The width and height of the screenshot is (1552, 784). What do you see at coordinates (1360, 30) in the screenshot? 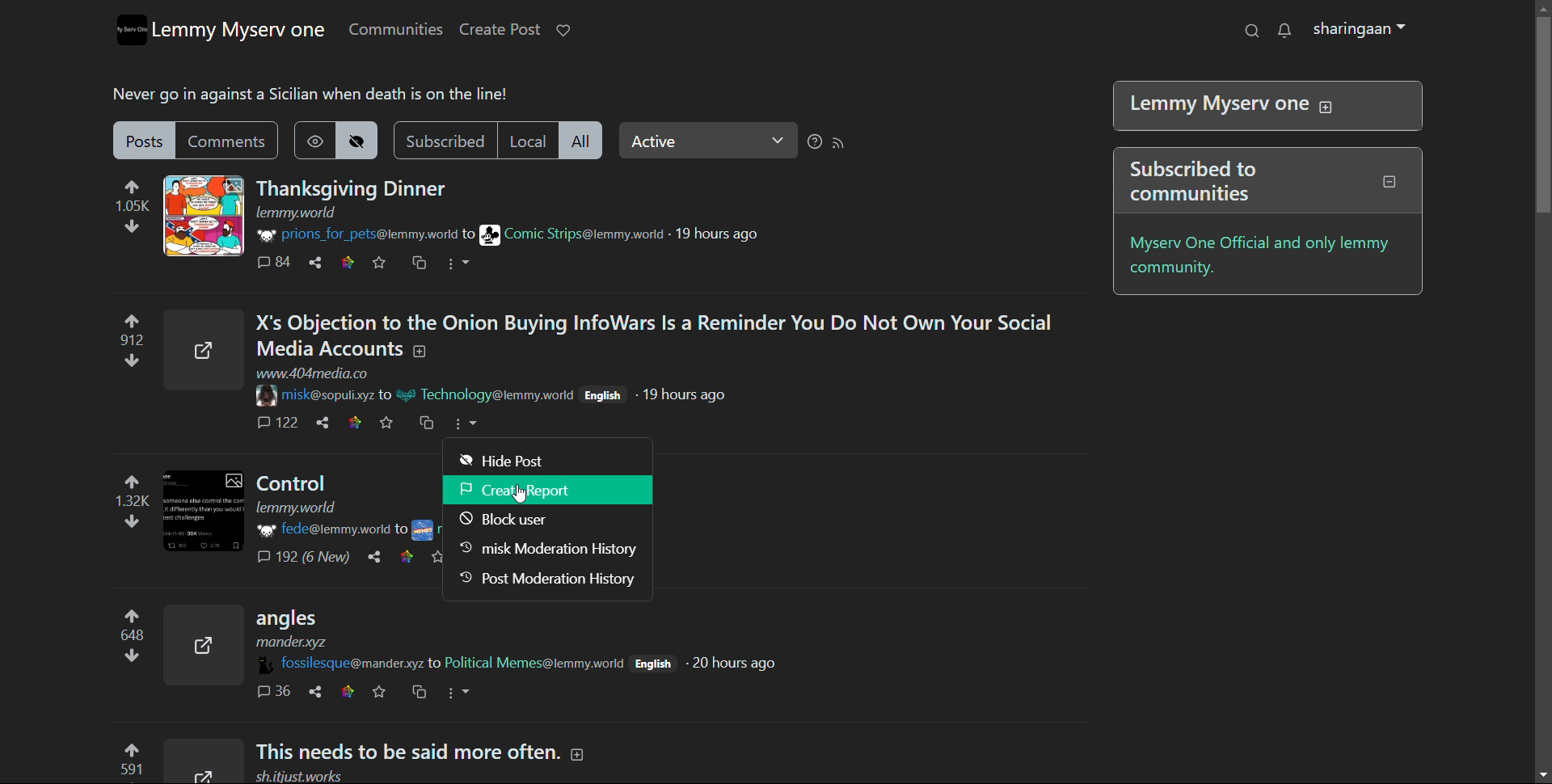
I see `sharingaan(profile)` at bounding box center [1360, 30].